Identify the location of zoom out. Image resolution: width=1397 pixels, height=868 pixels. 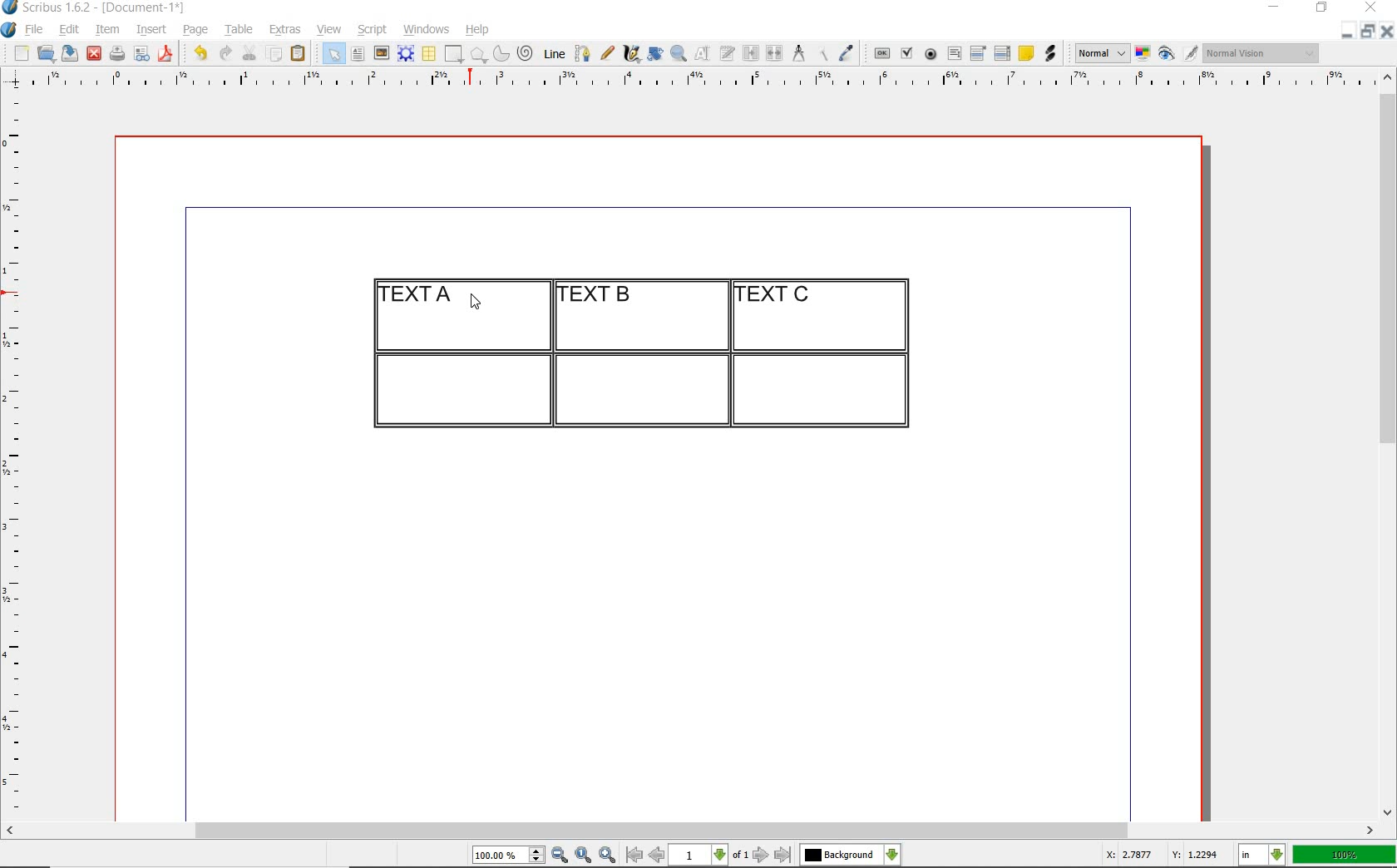
(560, 856).